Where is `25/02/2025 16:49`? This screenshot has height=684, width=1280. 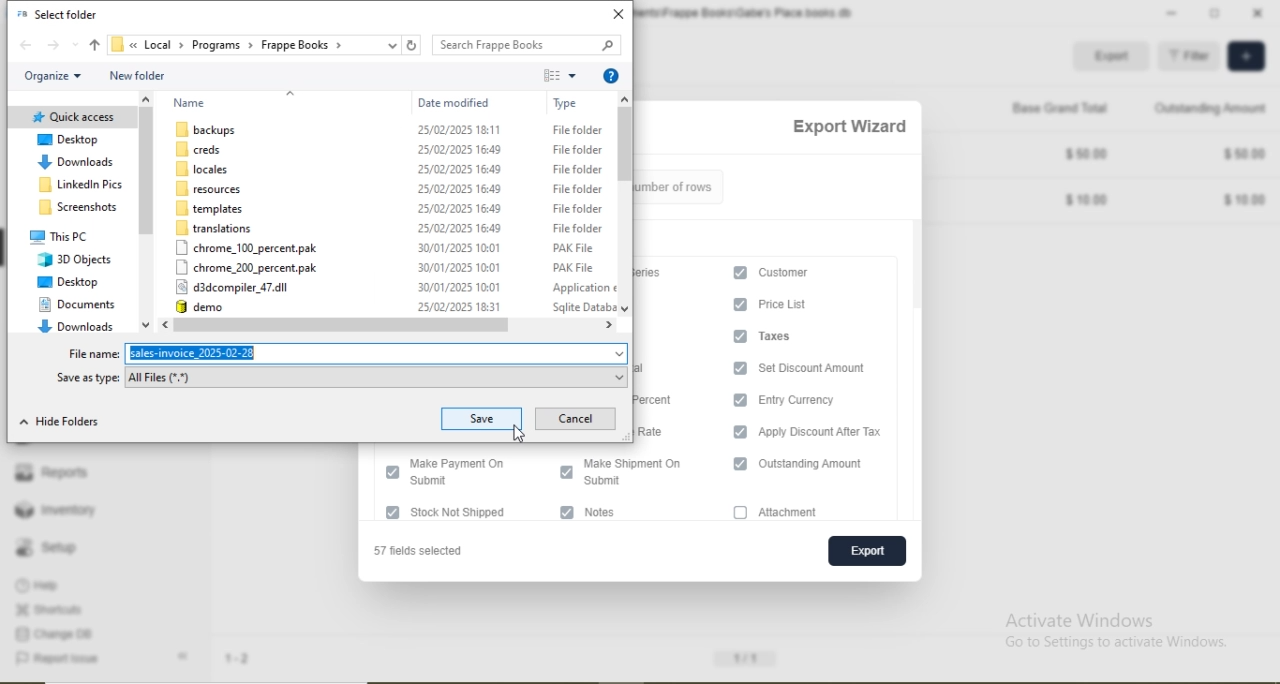 25/02/2025 16:49 is located at coordinates (459, 228).